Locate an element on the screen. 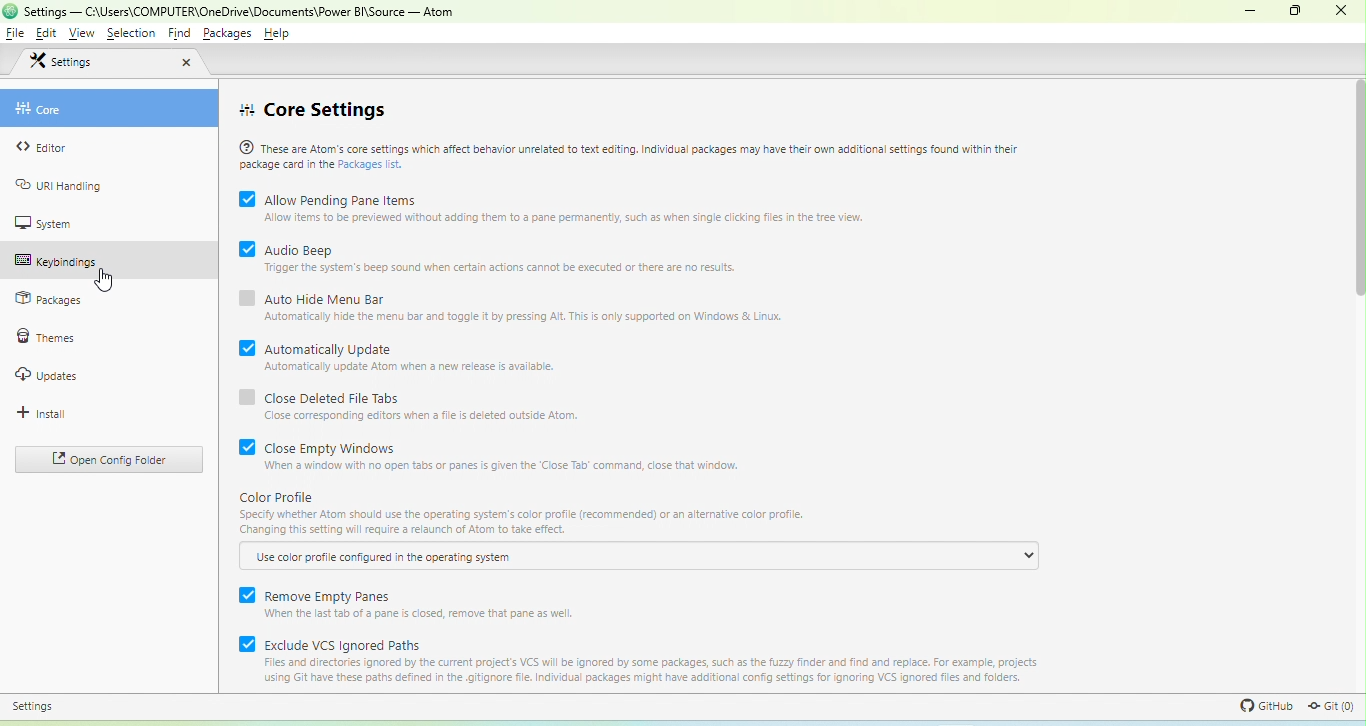 This screenshot has height=726, width=1366. automatically update is located at coordinates (320, 345).